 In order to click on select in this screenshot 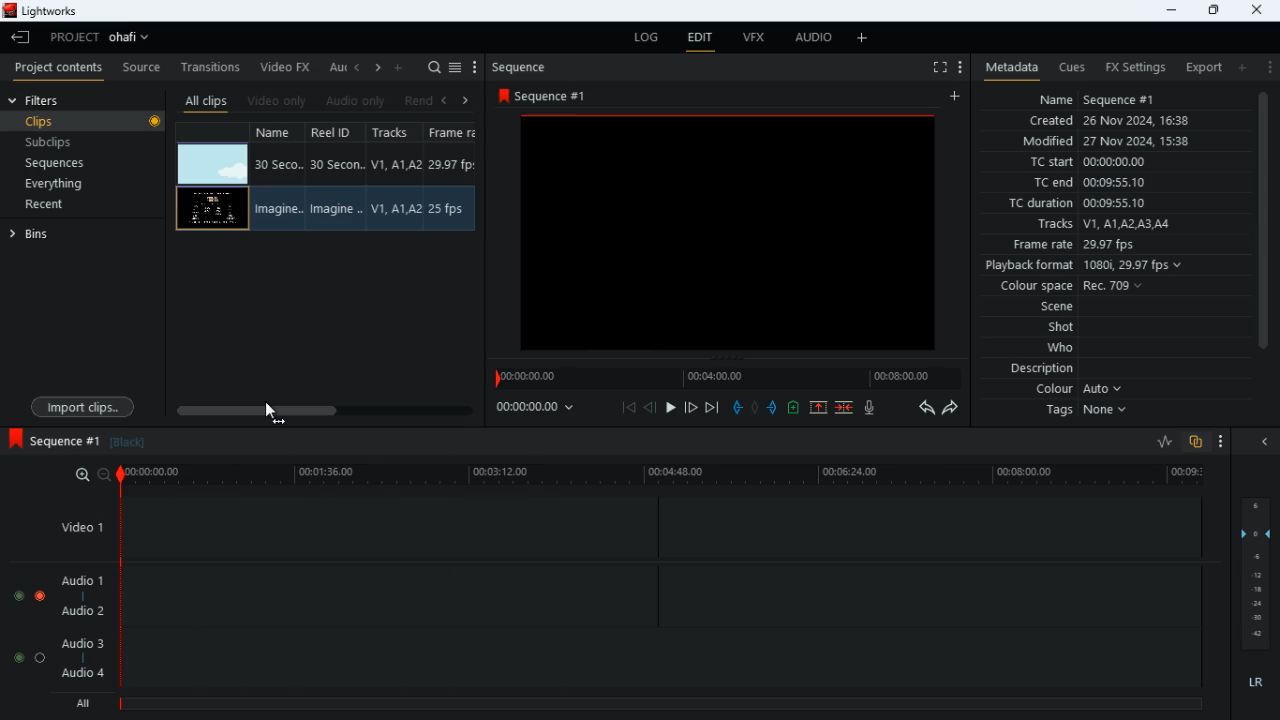, I will do `click(457, 66)`.